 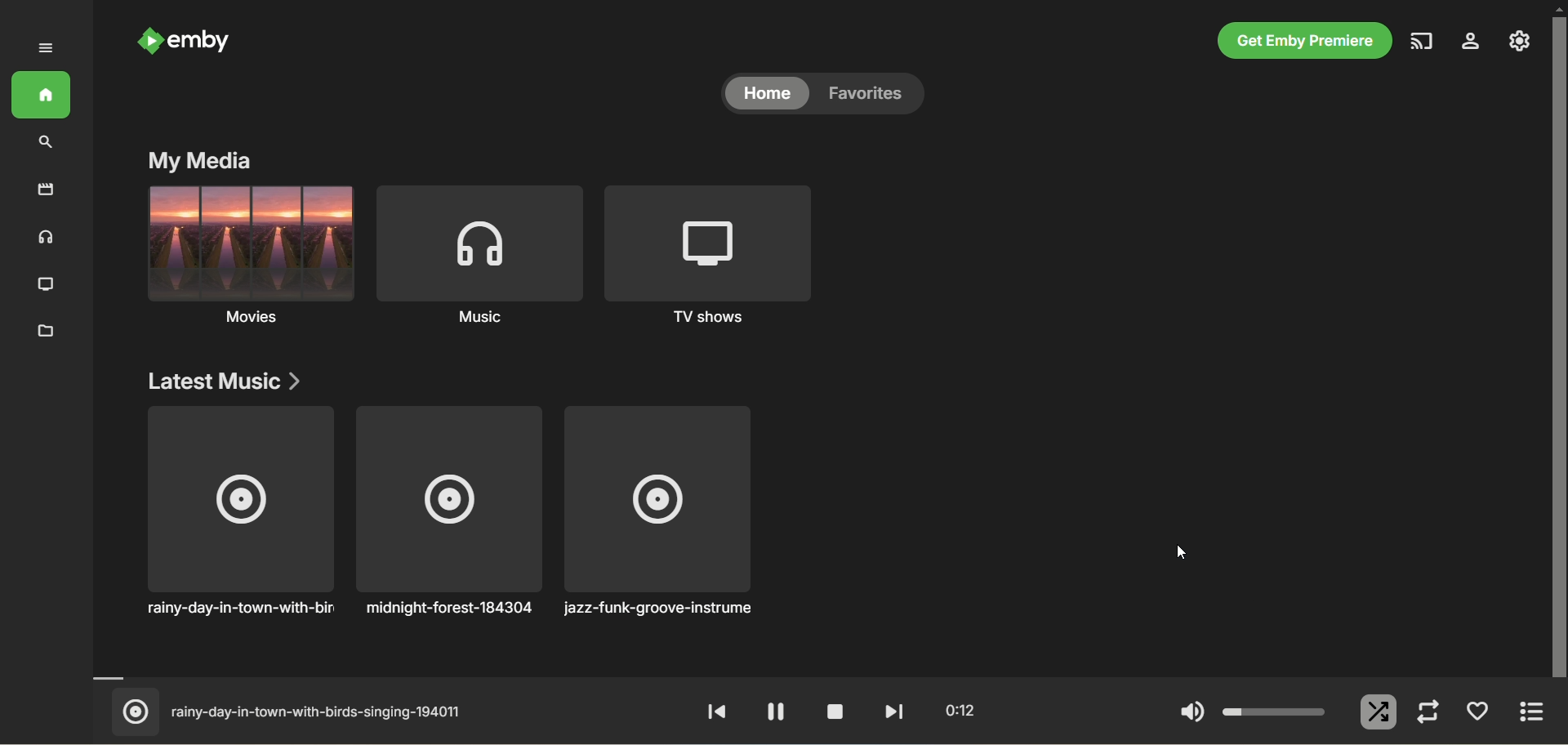 I want to click on emby, so click(x=185, y=42).